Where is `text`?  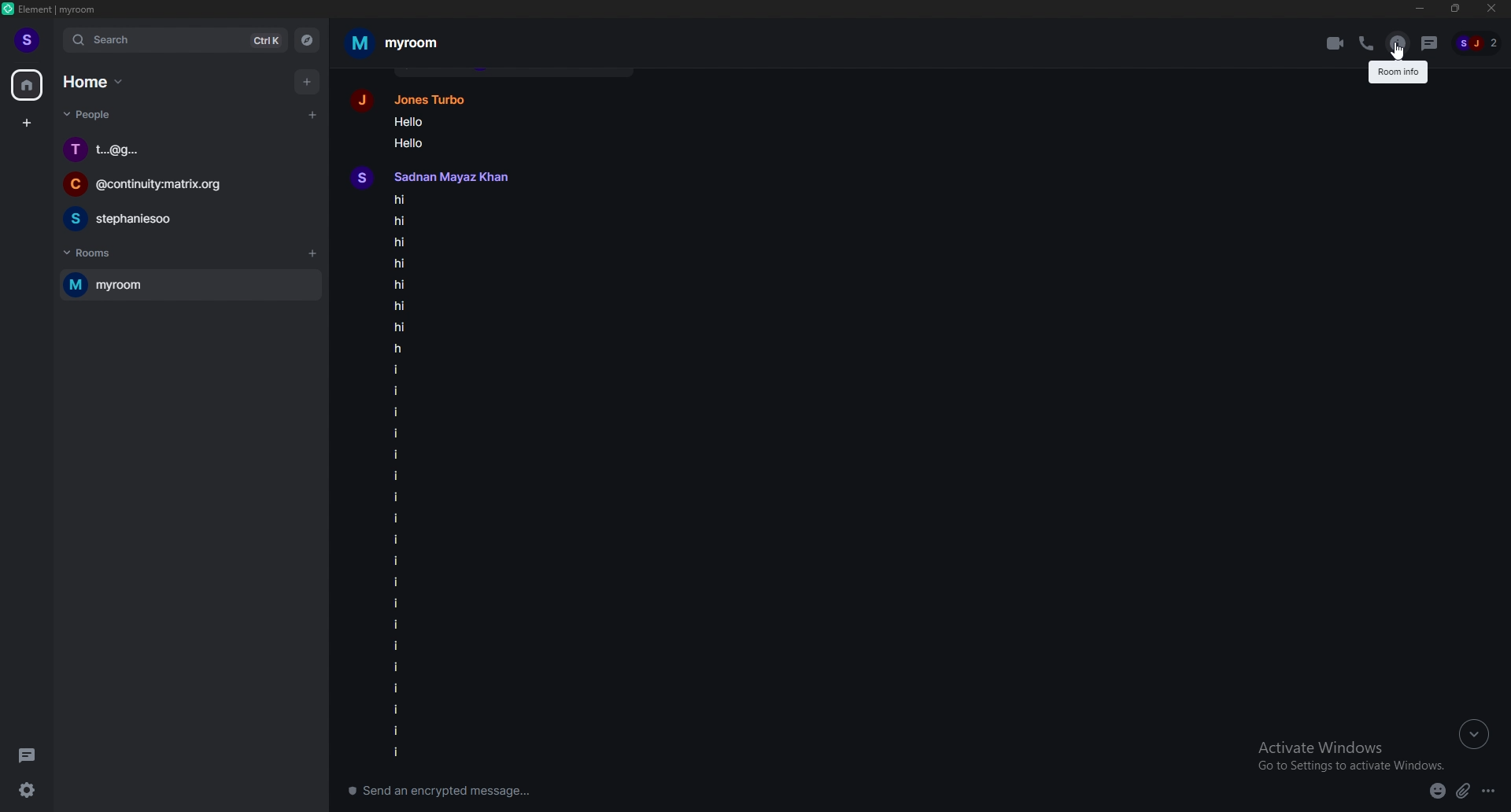 text is located at coordinates (433, 130).